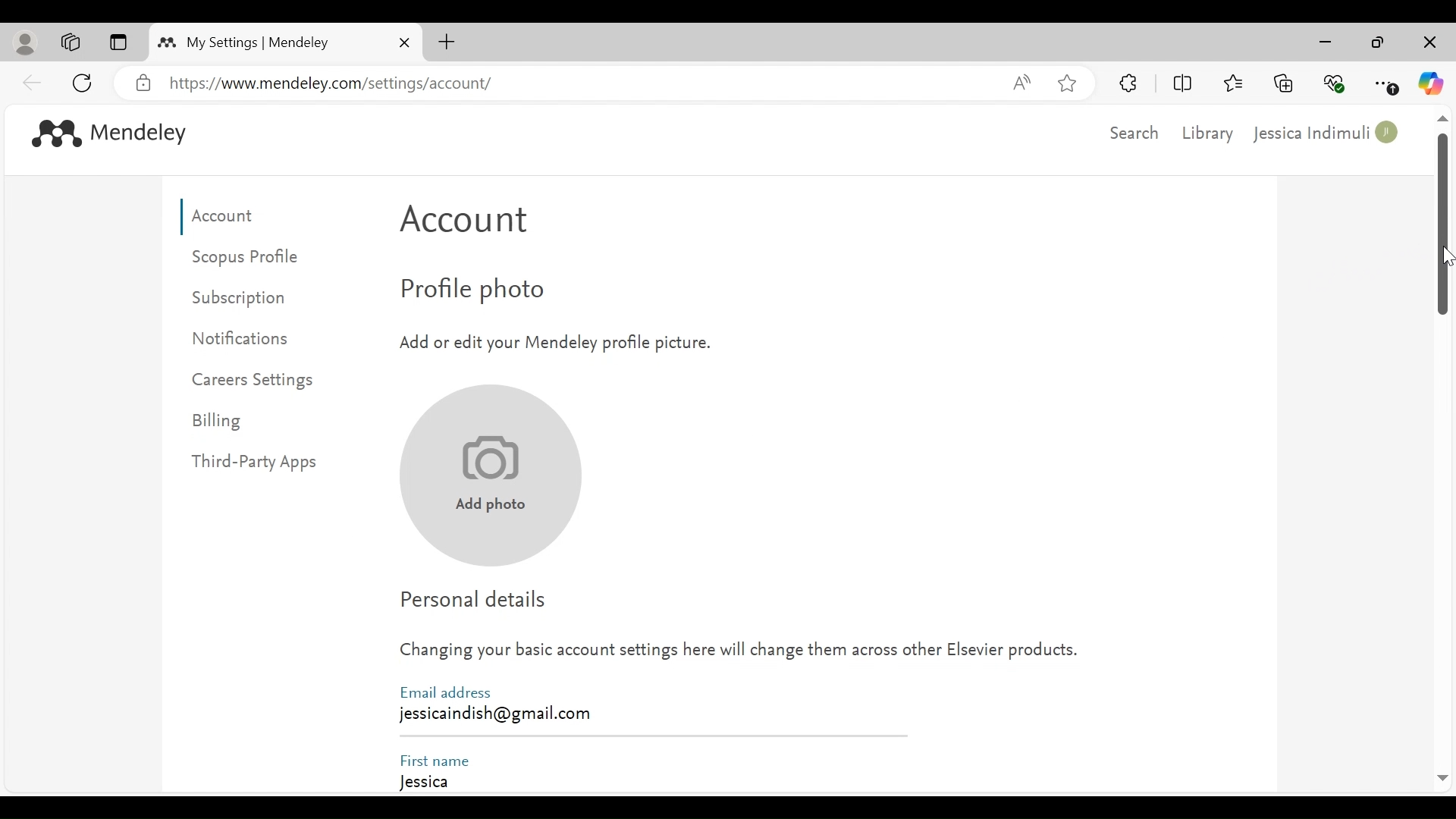  What do you see at coordinates (142, 135) in the screenshot?
I see `Mendeley` at bounding box center [142, 135].